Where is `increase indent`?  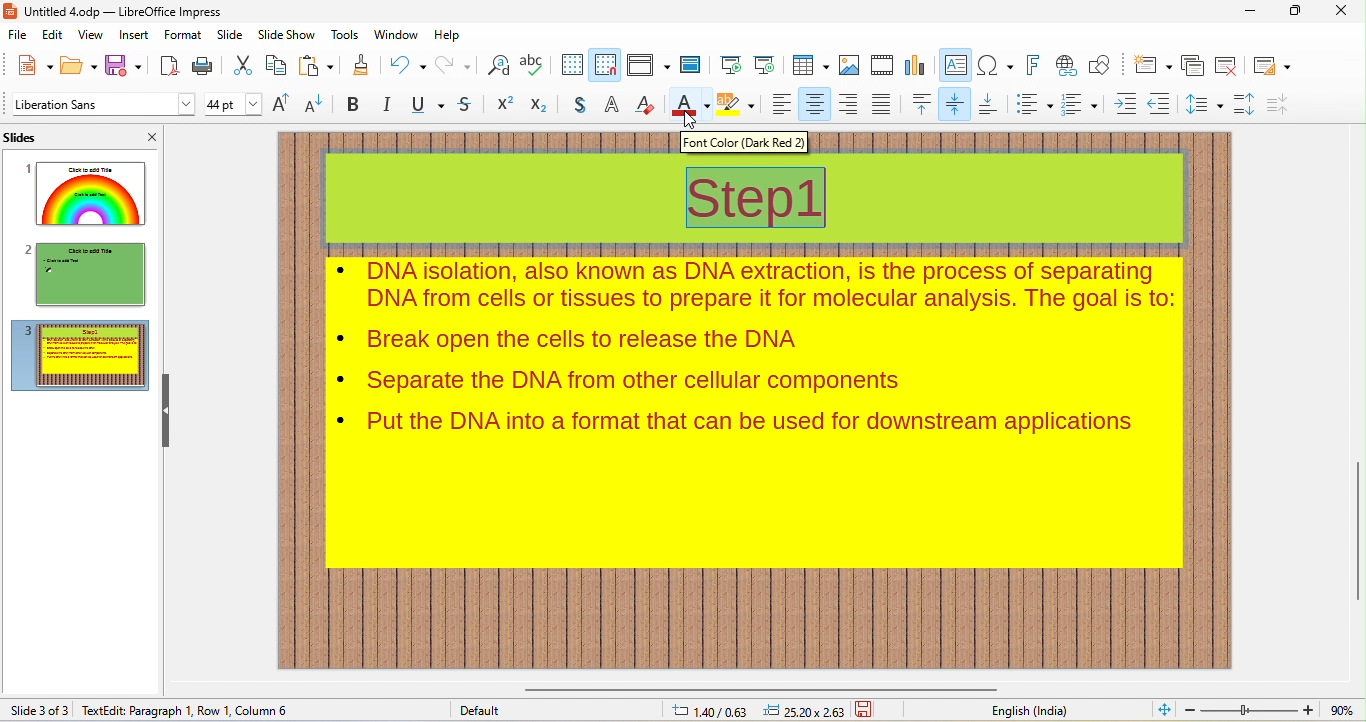
increase indent is located at coordinates (1126, 103).